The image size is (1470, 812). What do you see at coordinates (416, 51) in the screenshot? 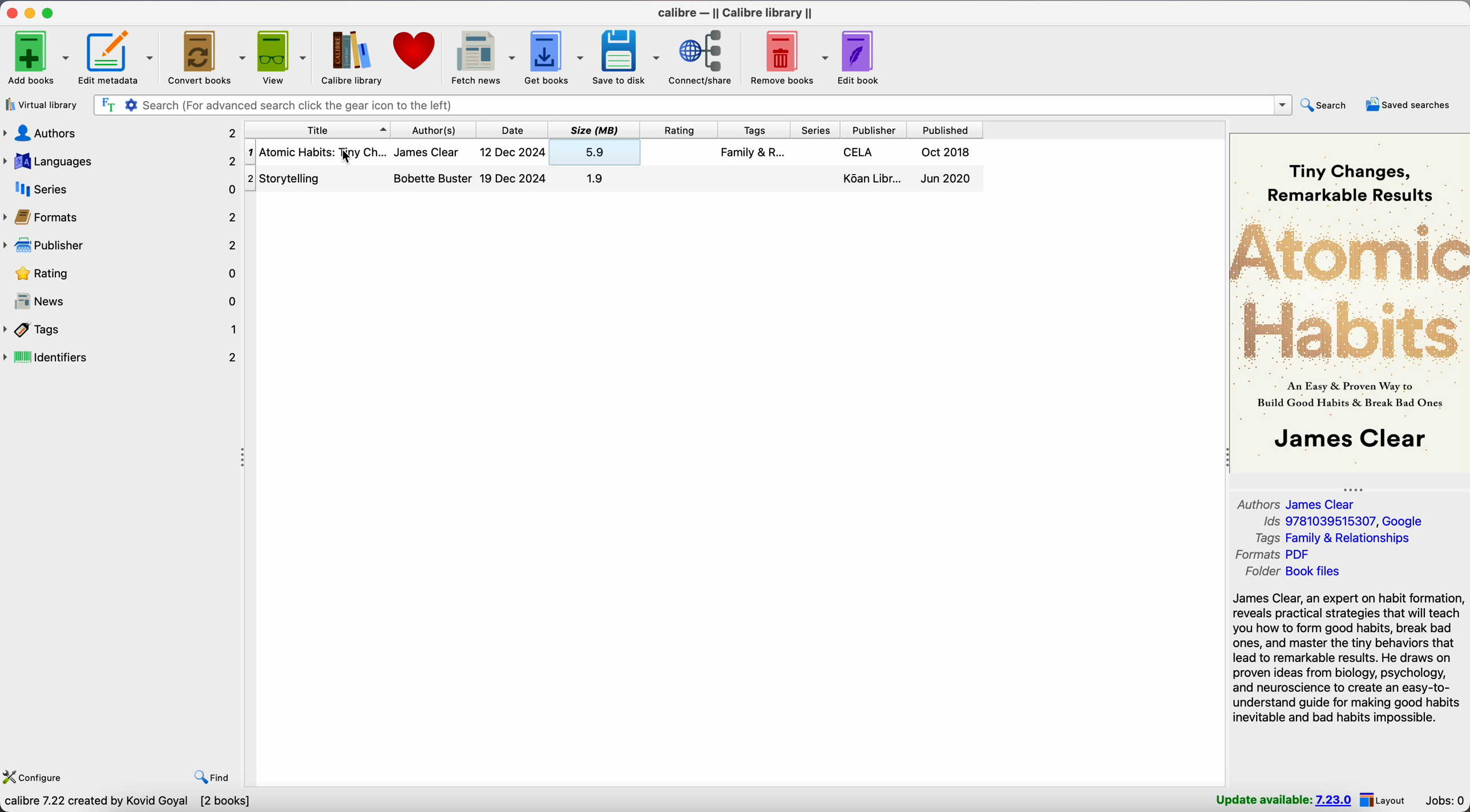
I see `donate` at bounding box center [416, 51].